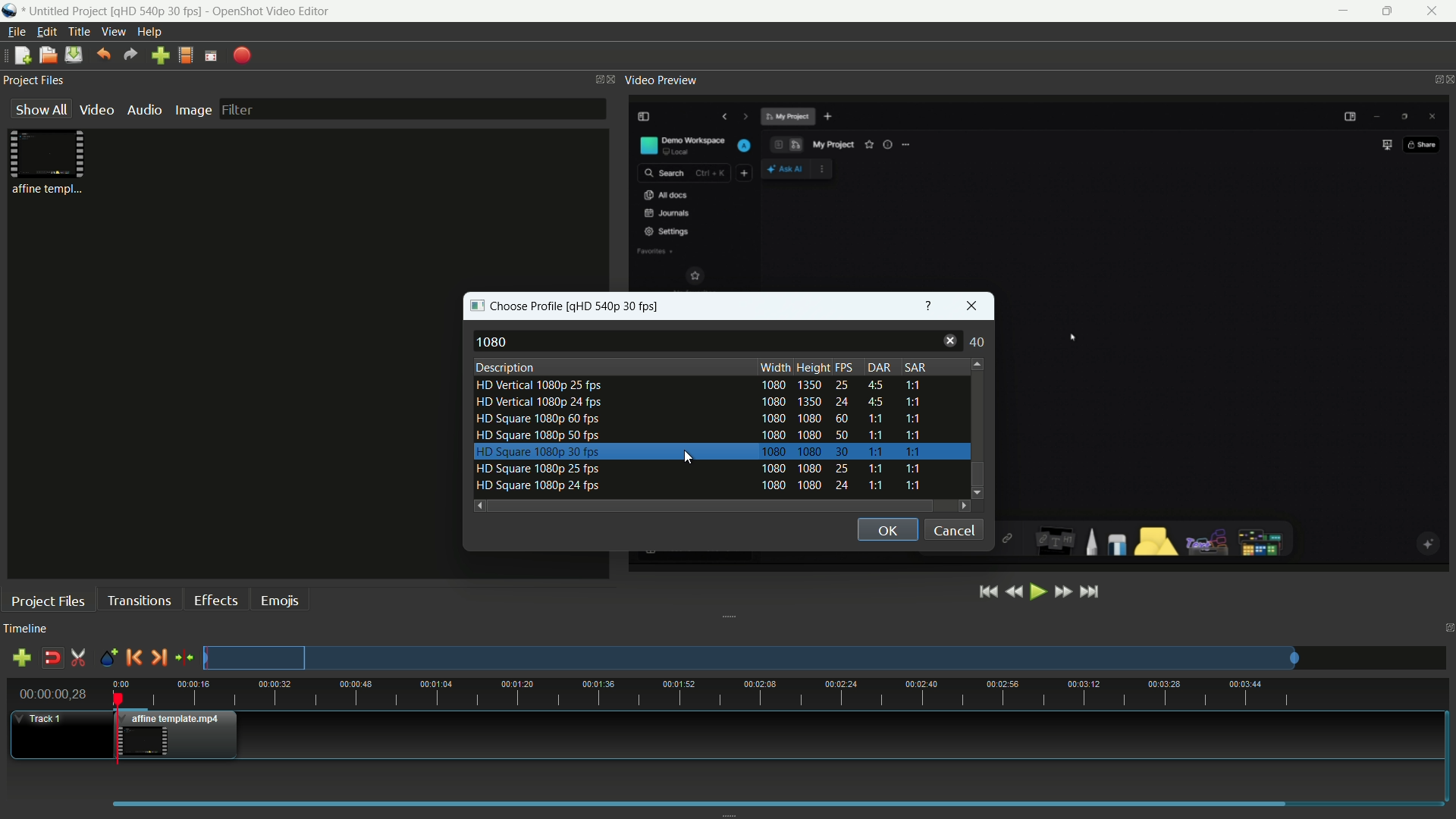 The height and width of the screenshot is (819, 1456). What do you see at coordinates (149, 32) in the screenshot?
I see `help menu` at bounding box center [149, 32].